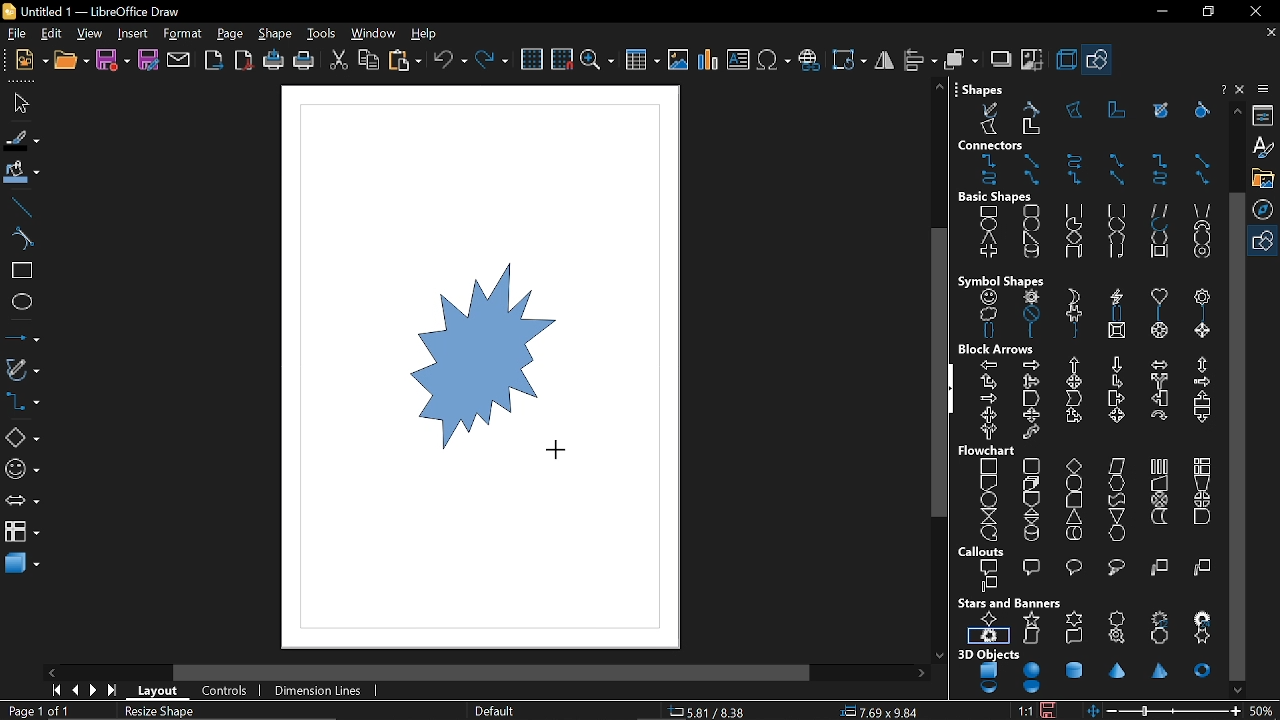  I want to click on Basic shapes, so click(1086, 226).